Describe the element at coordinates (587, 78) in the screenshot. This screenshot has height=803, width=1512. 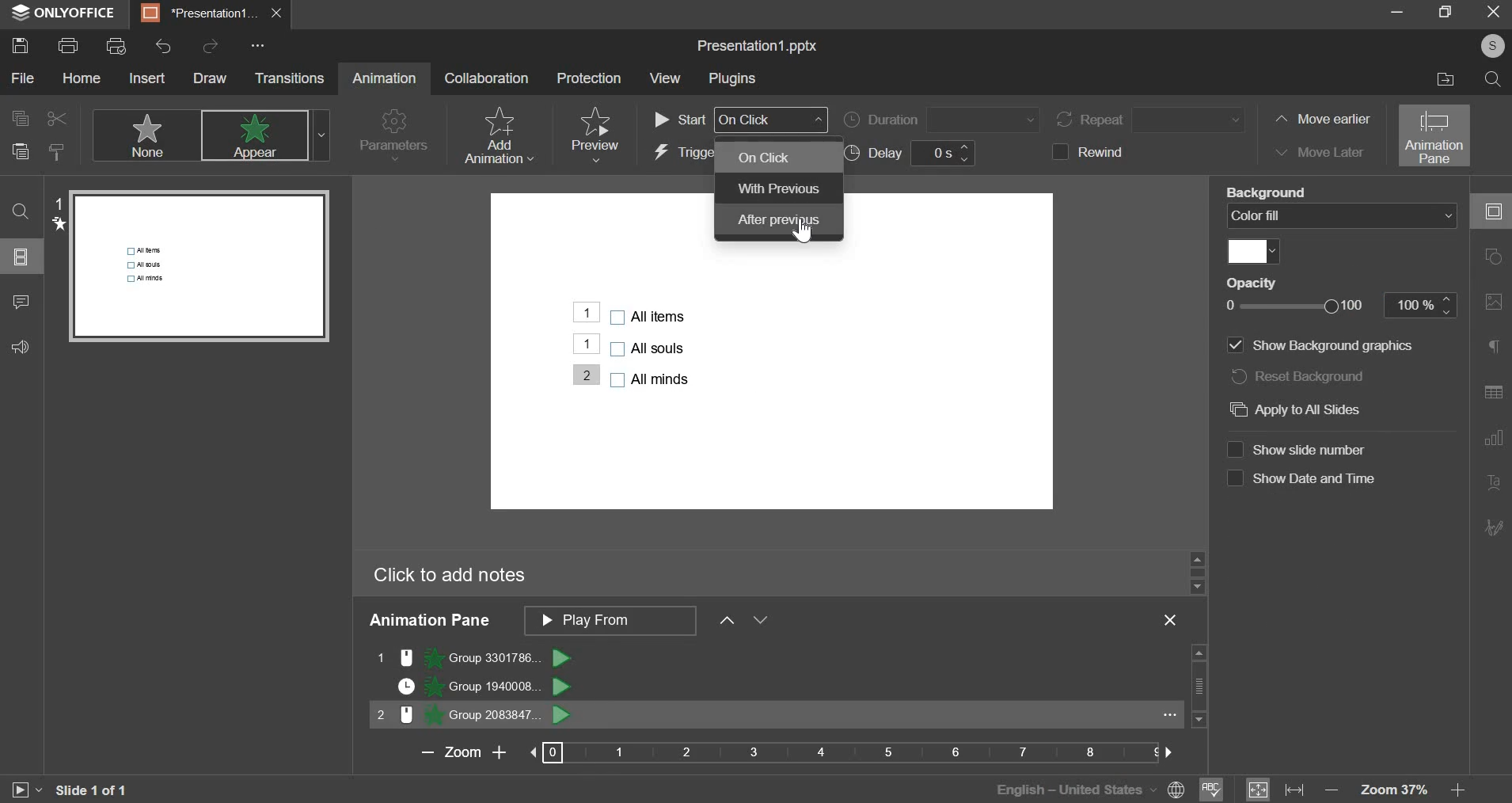
I see `protection` at that location.